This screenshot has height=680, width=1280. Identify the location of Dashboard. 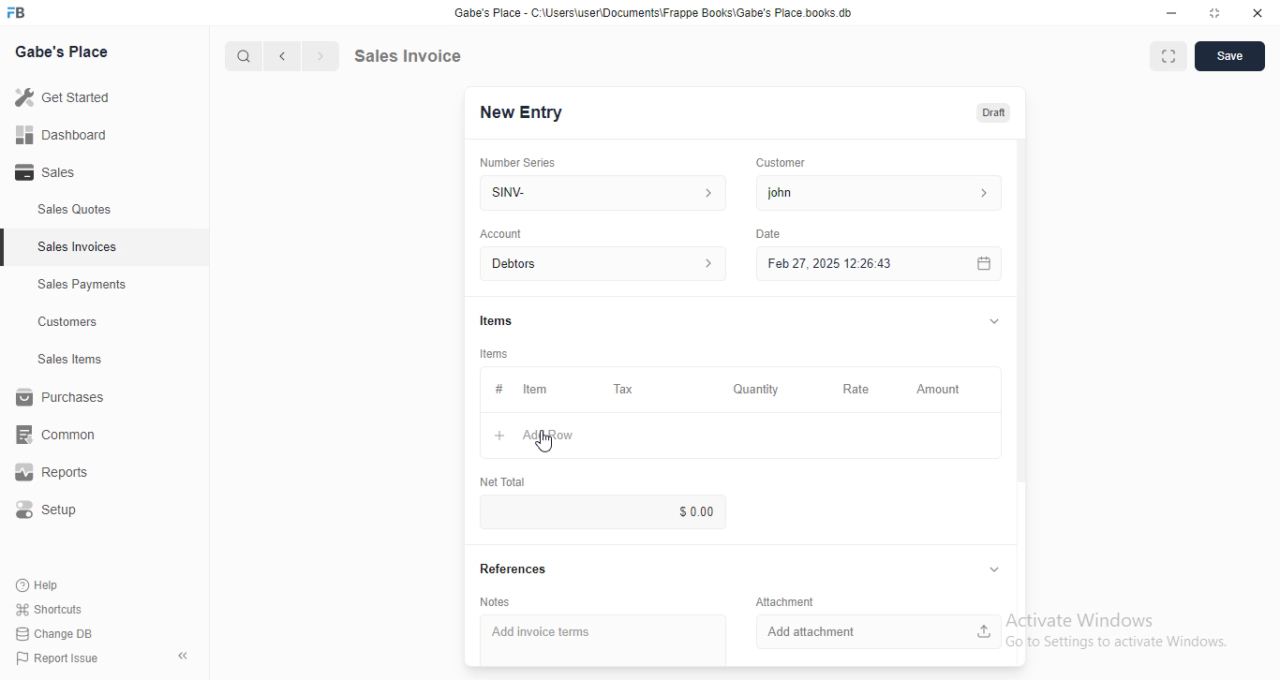
(61, 135).